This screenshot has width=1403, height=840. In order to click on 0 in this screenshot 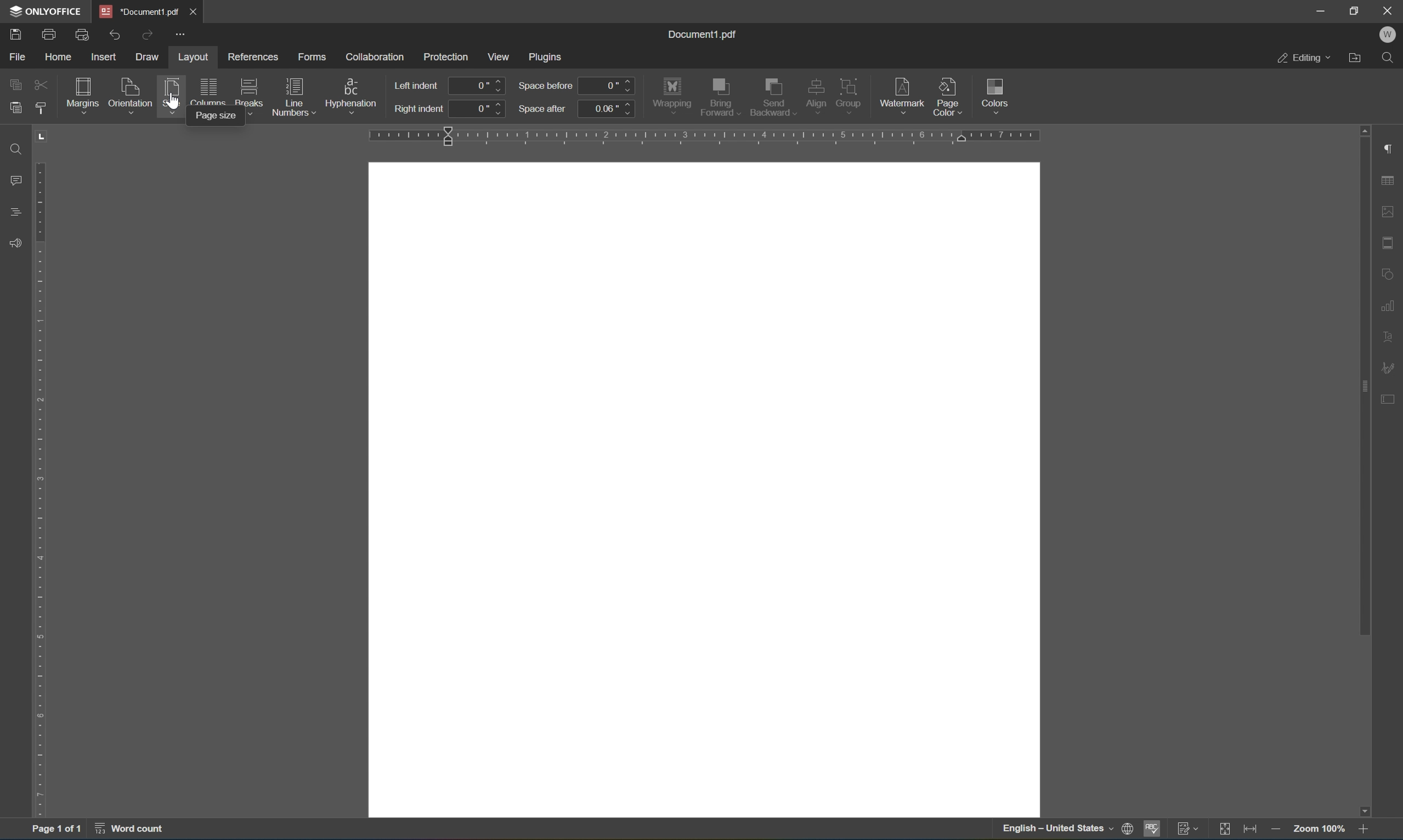, I will do `click(480, 109)`.